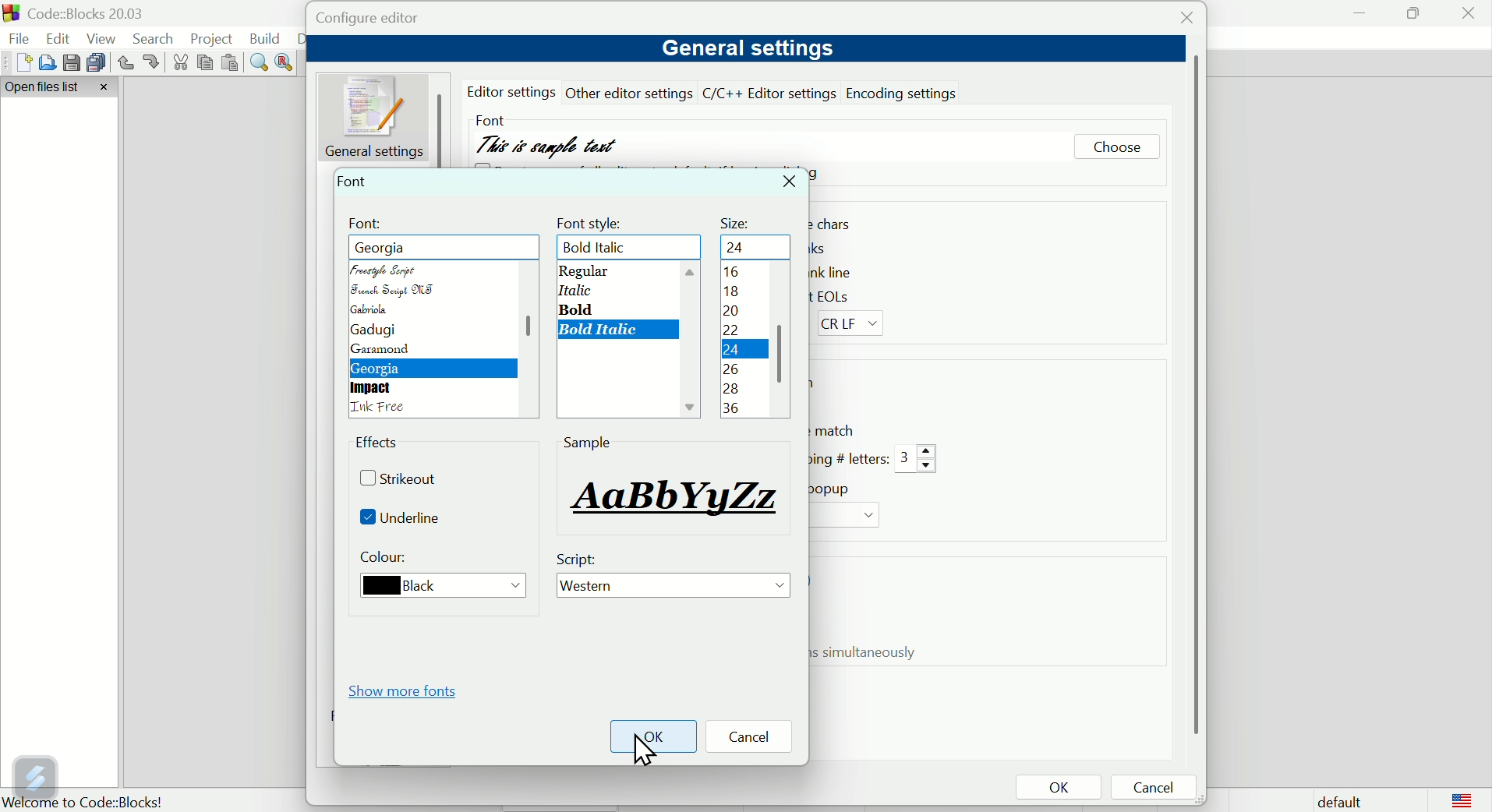 This screenshot has width=1492, height=812. I want to click on Oblique, so click(569, 290).